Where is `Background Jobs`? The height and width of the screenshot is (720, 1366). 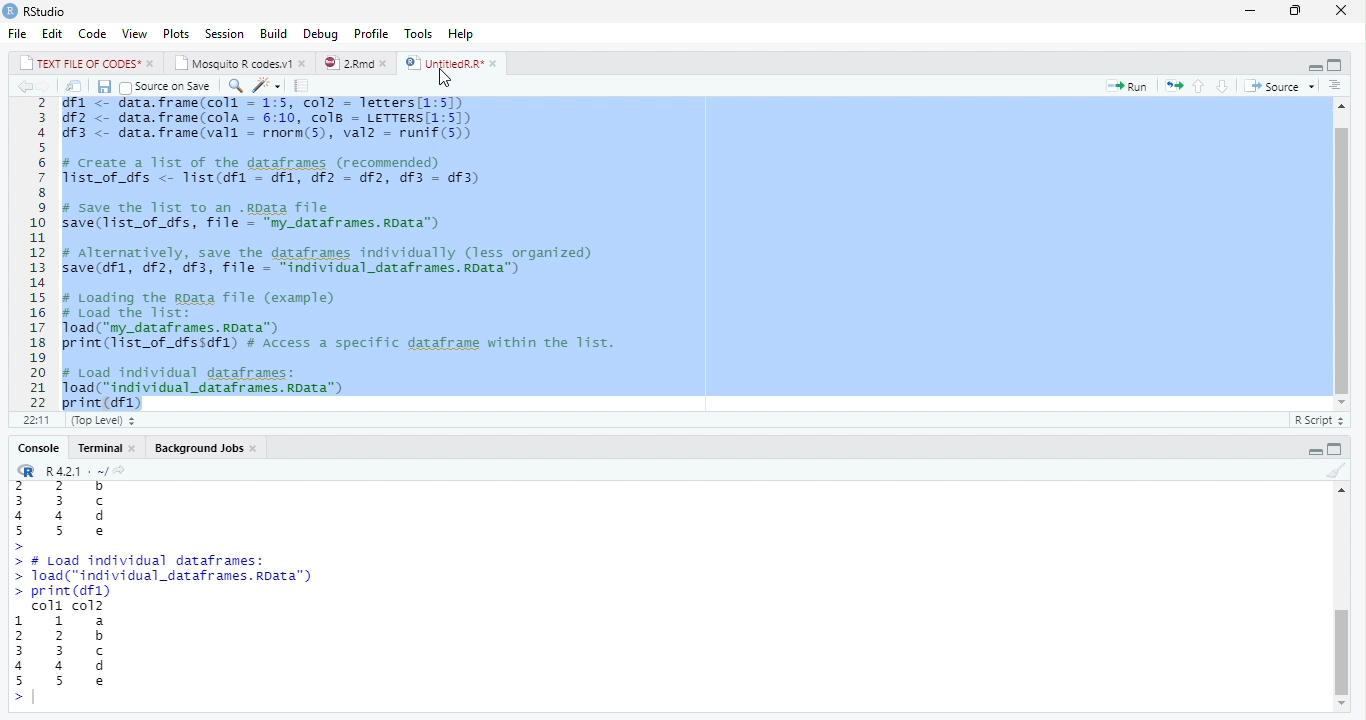
Background Jobs is located at coordinates (202, 448).